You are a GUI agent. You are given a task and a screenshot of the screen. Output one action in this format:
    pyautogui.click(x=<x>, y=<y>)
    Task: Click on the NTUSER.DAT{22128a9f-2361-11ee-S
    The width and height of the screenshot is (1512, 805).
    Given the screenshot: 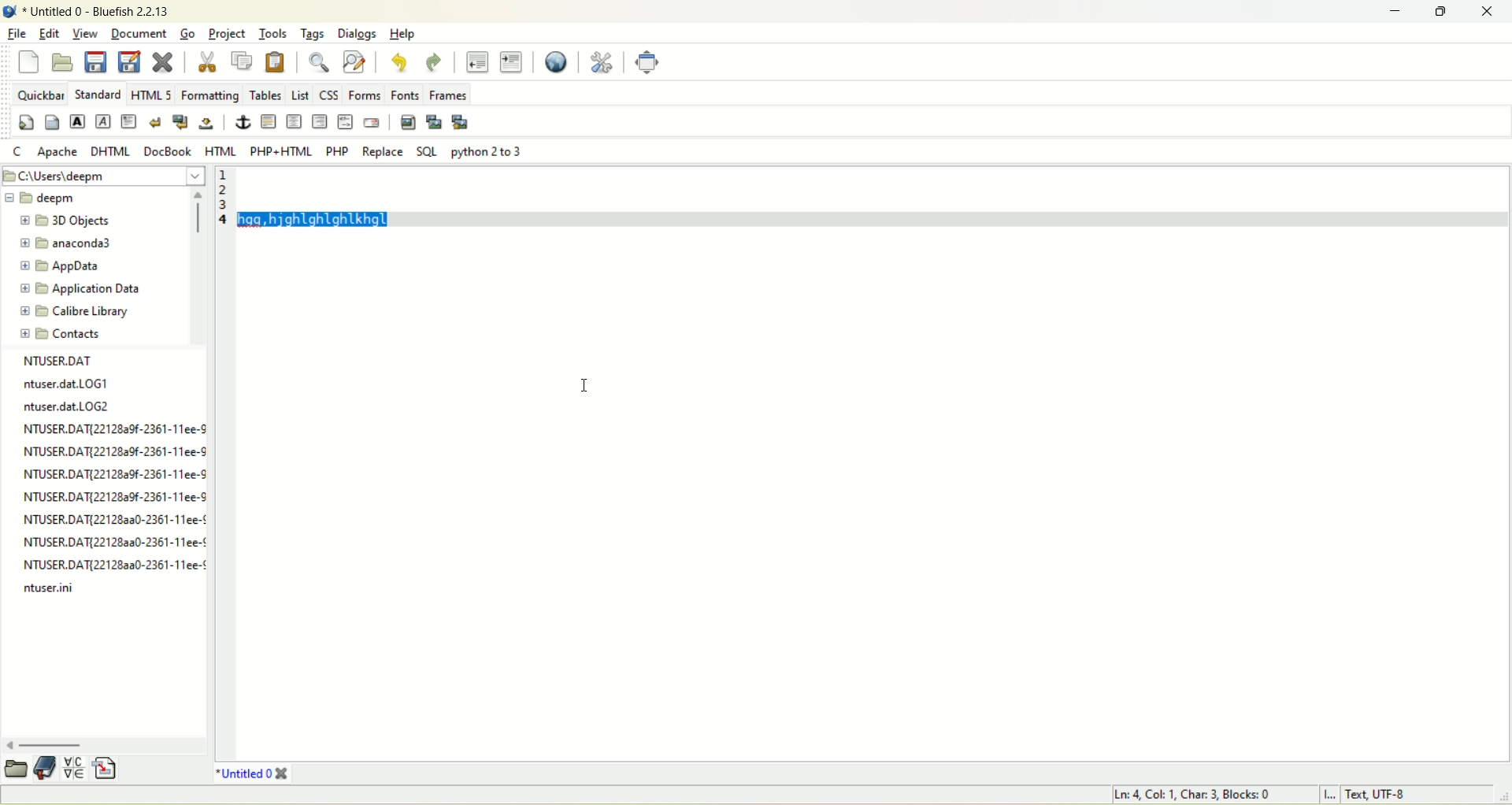 What is the action you would take?
    pyautogui.click(x=115, y=427)
    